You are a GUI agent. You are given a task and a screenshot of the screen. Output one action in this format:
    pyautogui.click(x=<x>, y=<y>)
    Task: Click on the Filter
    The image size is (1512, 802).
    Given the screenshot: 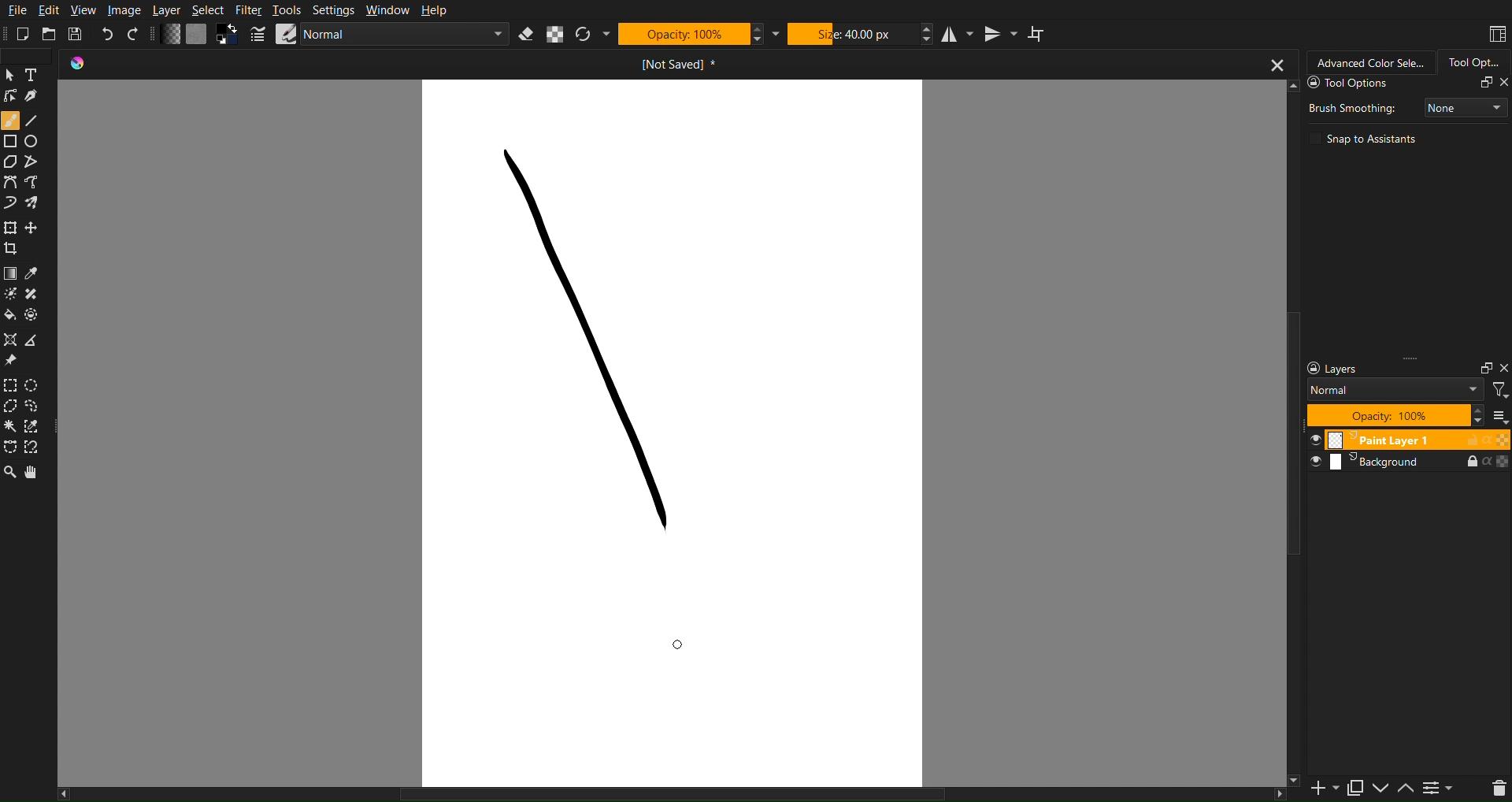 What is the action you would take?
    pyautogui.click(x=248, y=9)
    